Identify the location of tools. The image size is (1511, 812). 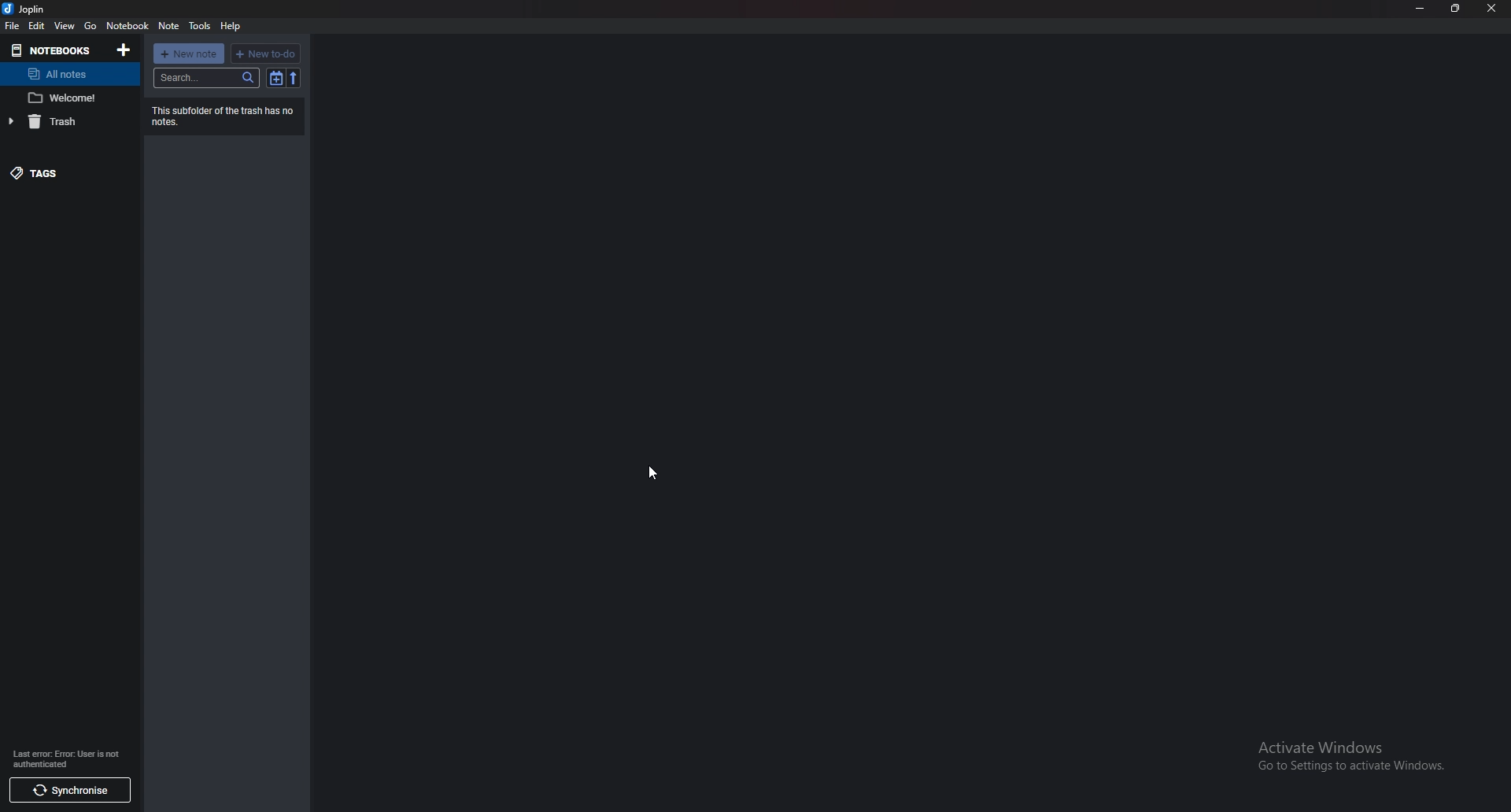
(201, 26).